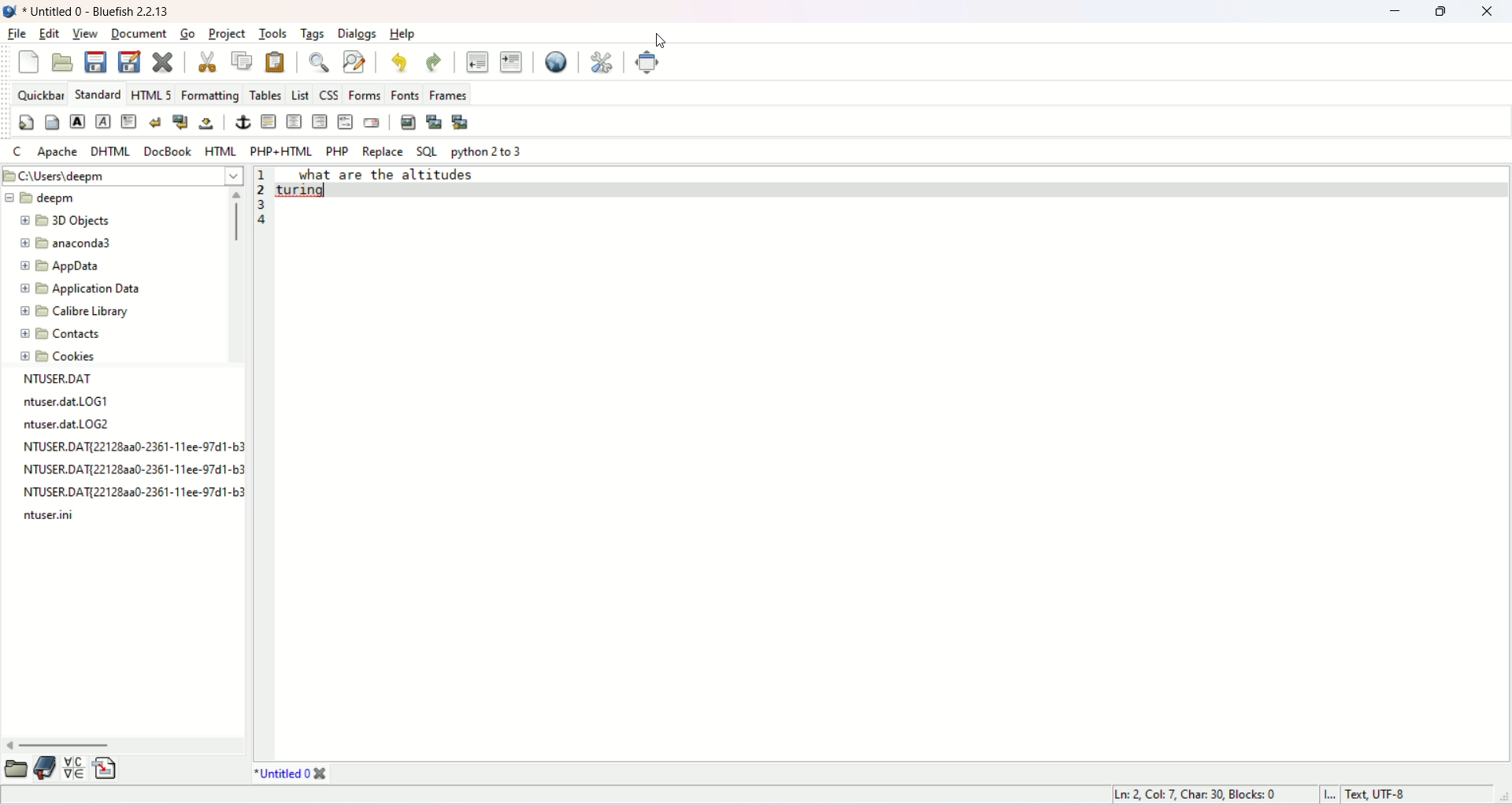  I want to click on horizontal rule, so click(268, 122).